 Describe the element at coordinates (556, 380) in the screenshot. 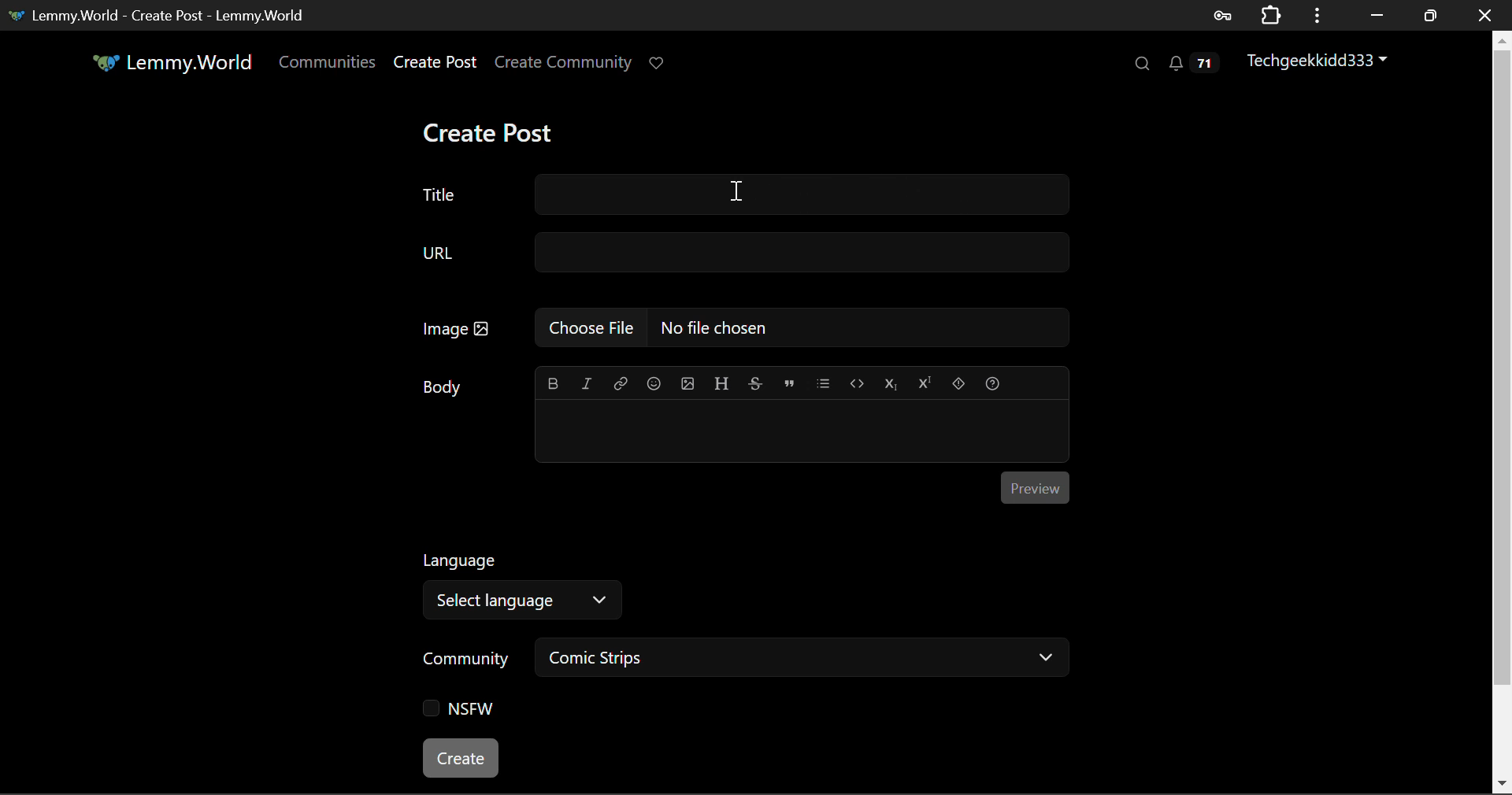

I see `bold` at that location.